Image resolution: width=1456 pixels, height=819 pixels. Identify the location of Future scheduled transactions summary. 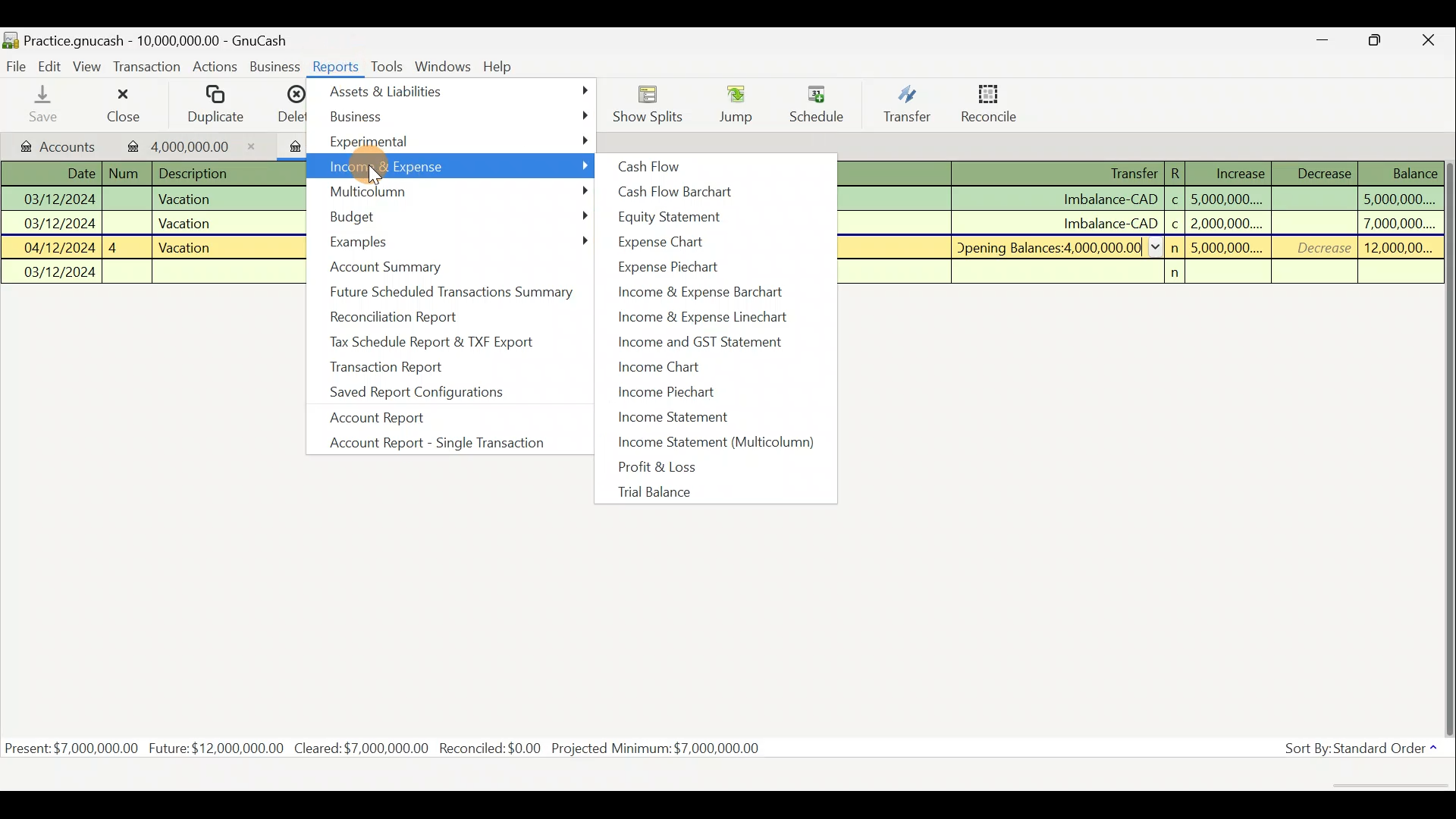
(453, 292).